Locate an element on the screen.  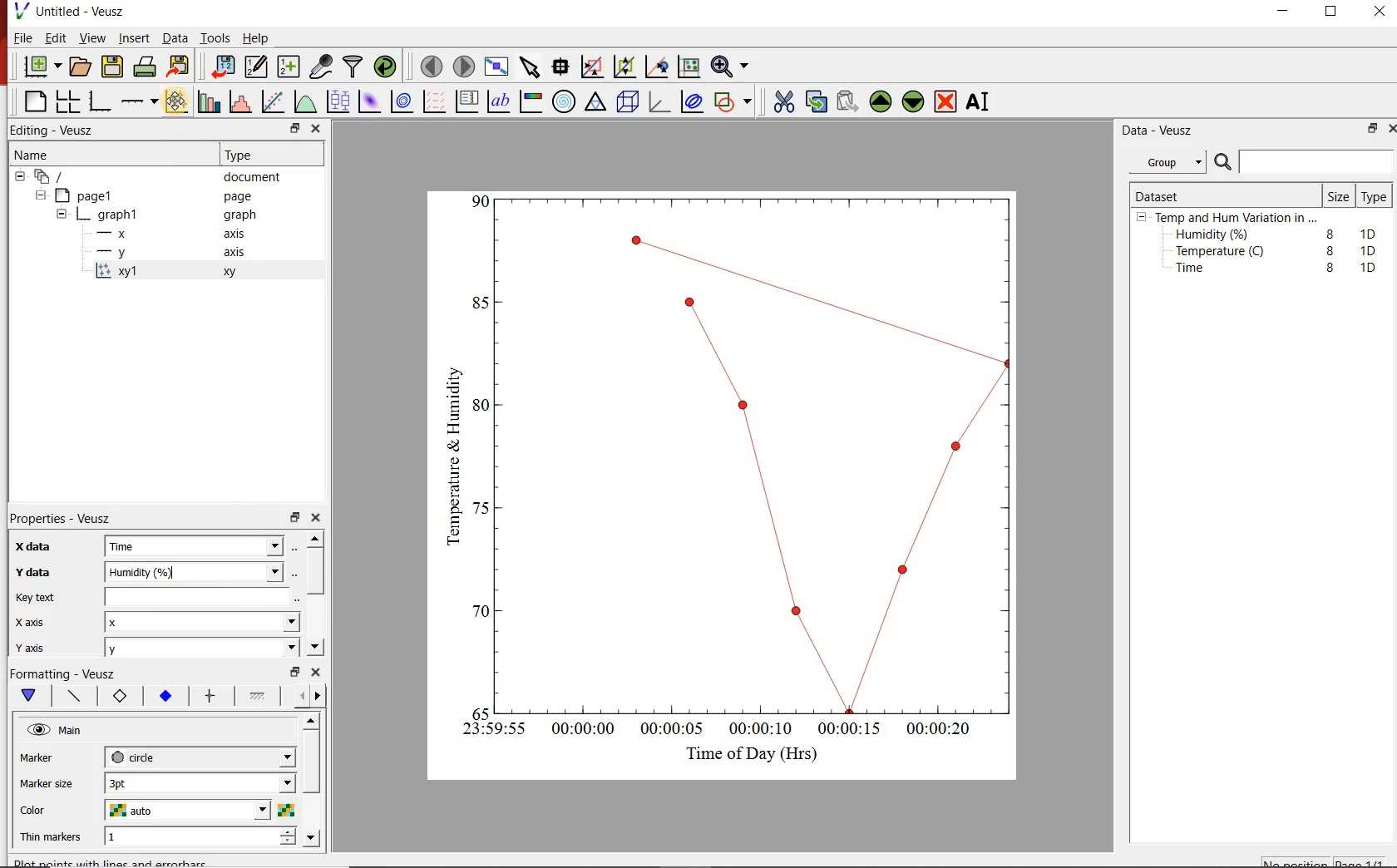
increase is located at coordinates (287, 833).